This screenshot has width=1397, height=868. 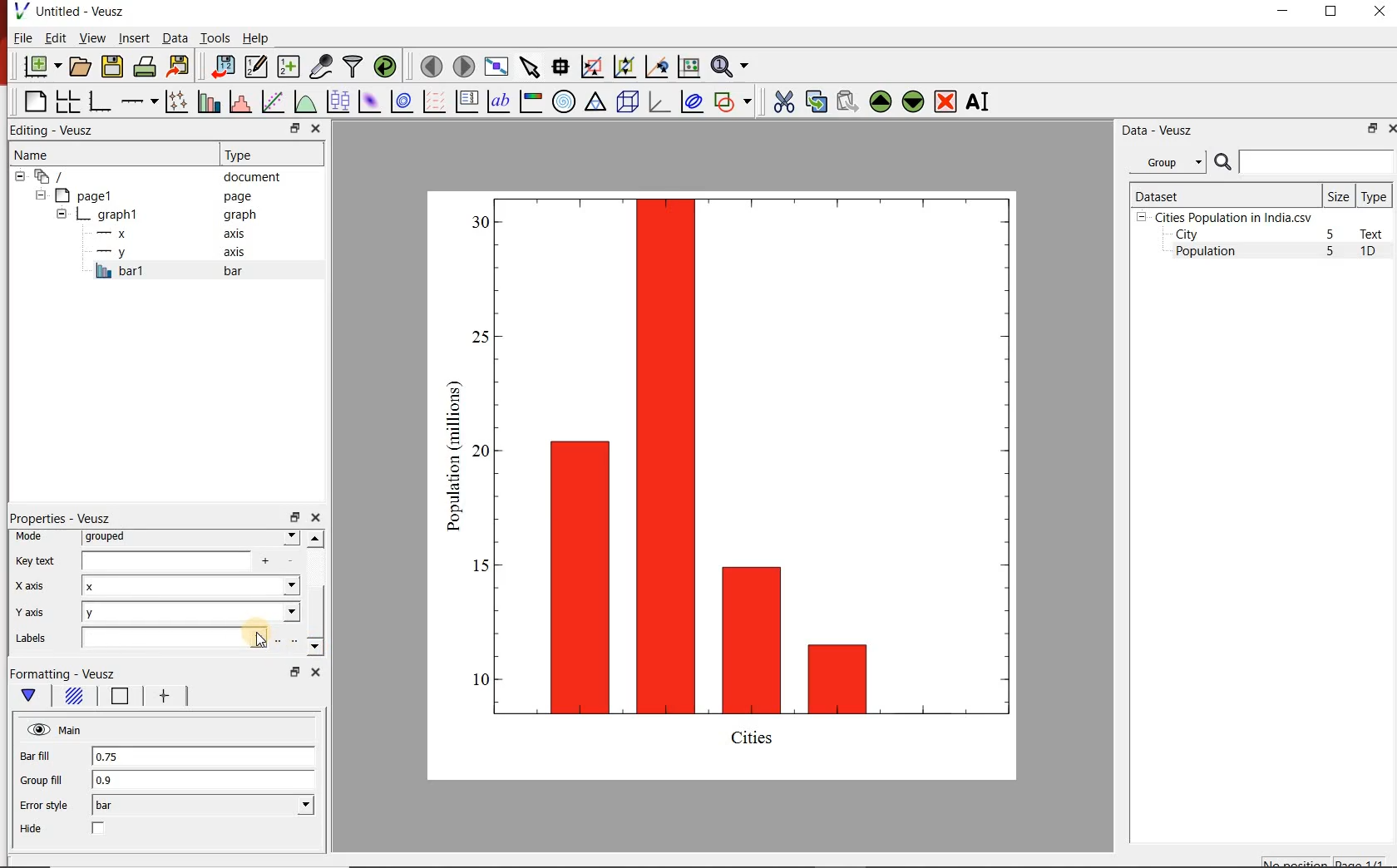 What do you see at coordinates (1331, 235) in the screenshot?
I see `5` at bounding box center [1331, 235].